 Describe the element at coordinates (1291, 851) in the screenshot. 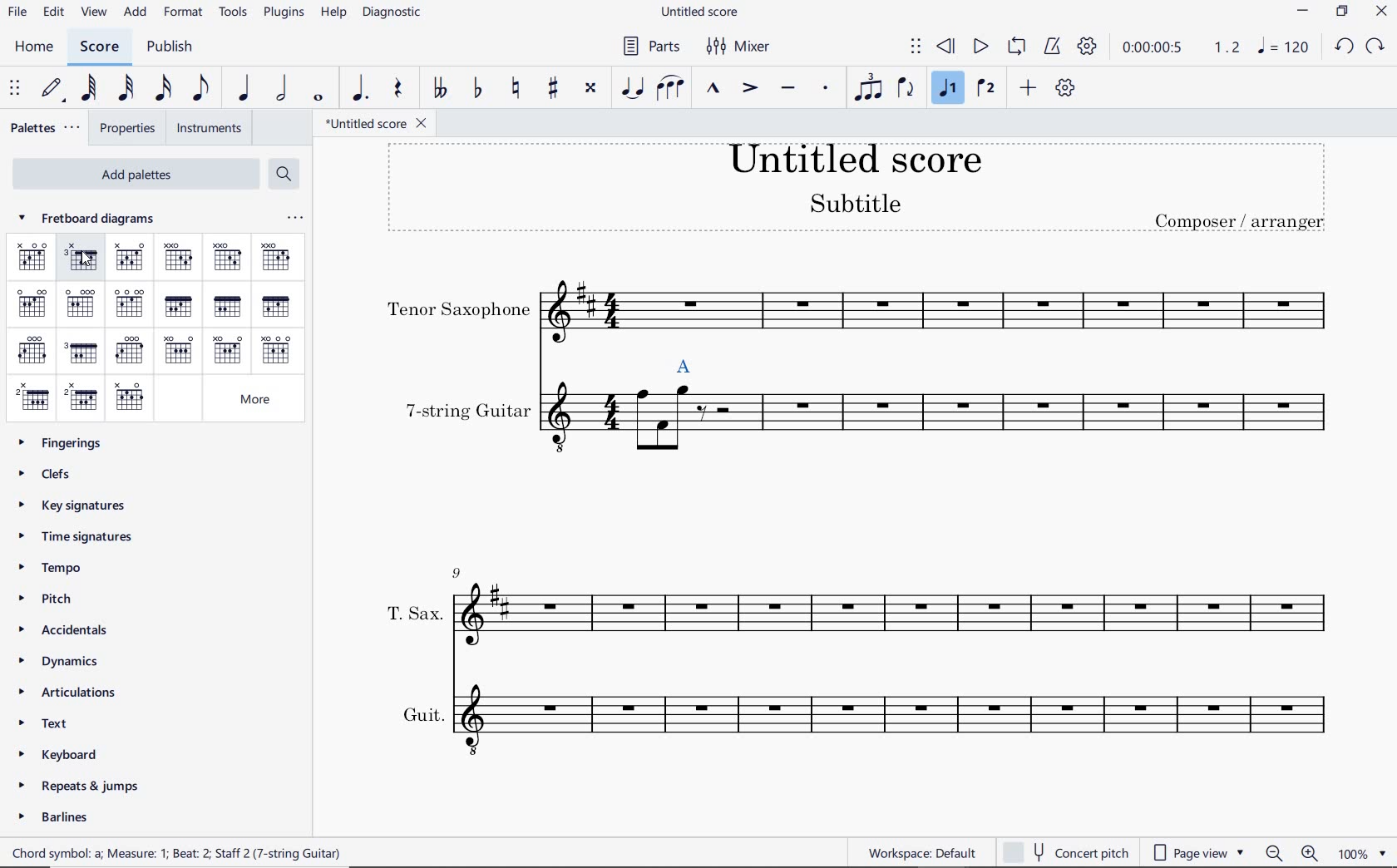

I see `zoom in or zoom out` at that location.